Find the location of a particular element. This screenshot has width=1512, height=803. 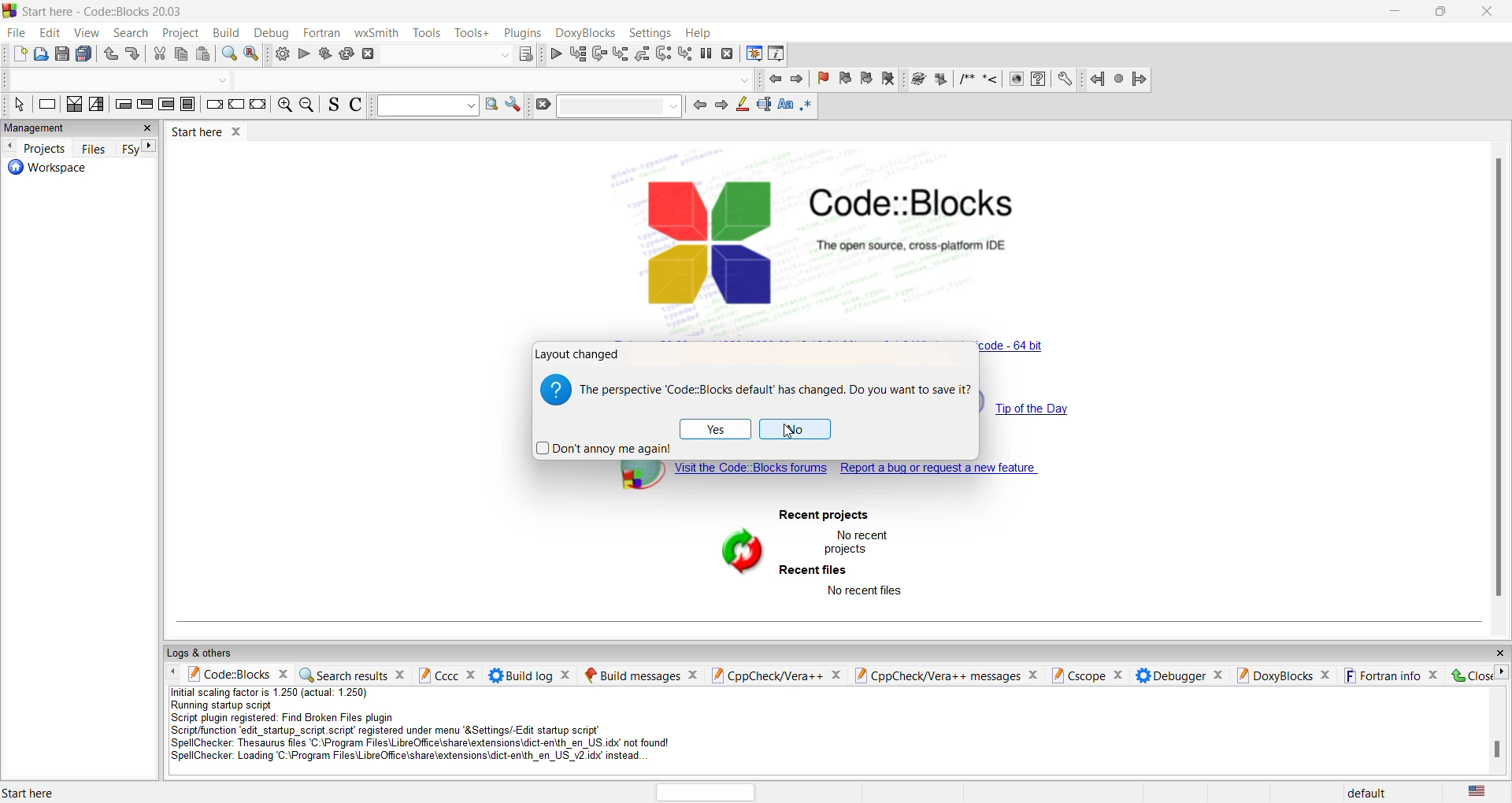

paste is located at coordinates (179, 57).